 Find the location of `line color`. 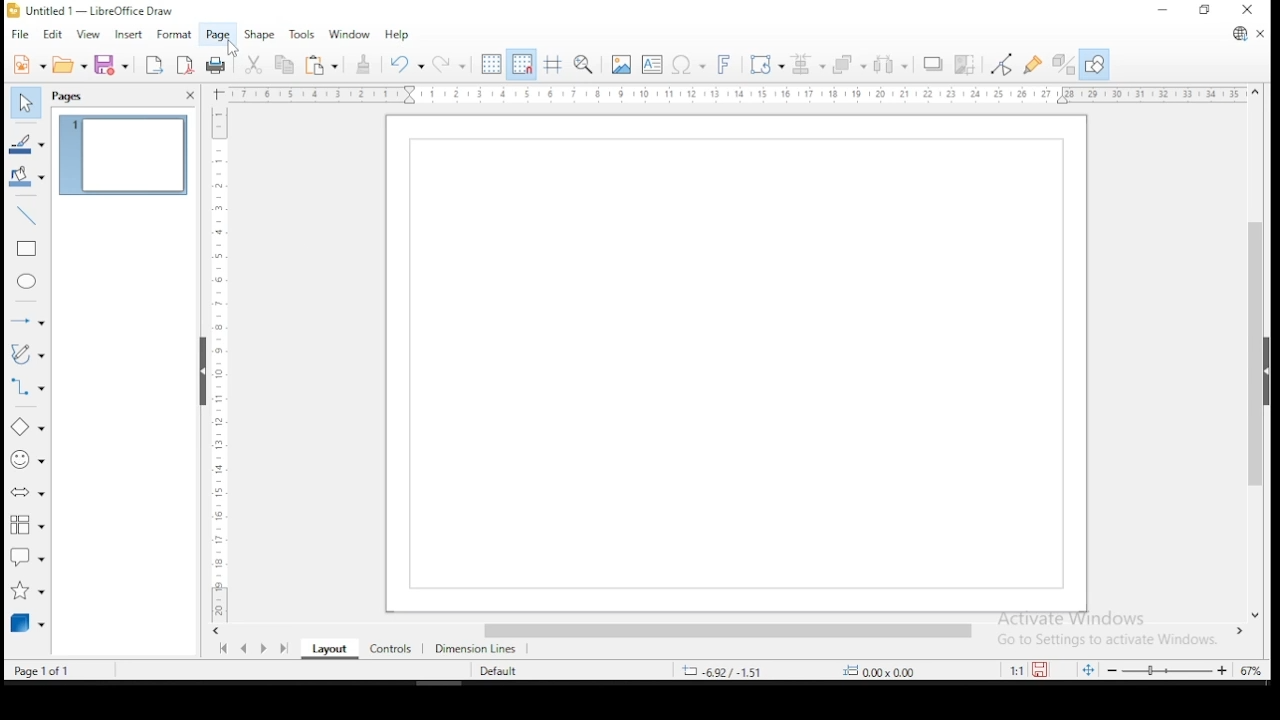

line color is located at coordinates (26, 142).